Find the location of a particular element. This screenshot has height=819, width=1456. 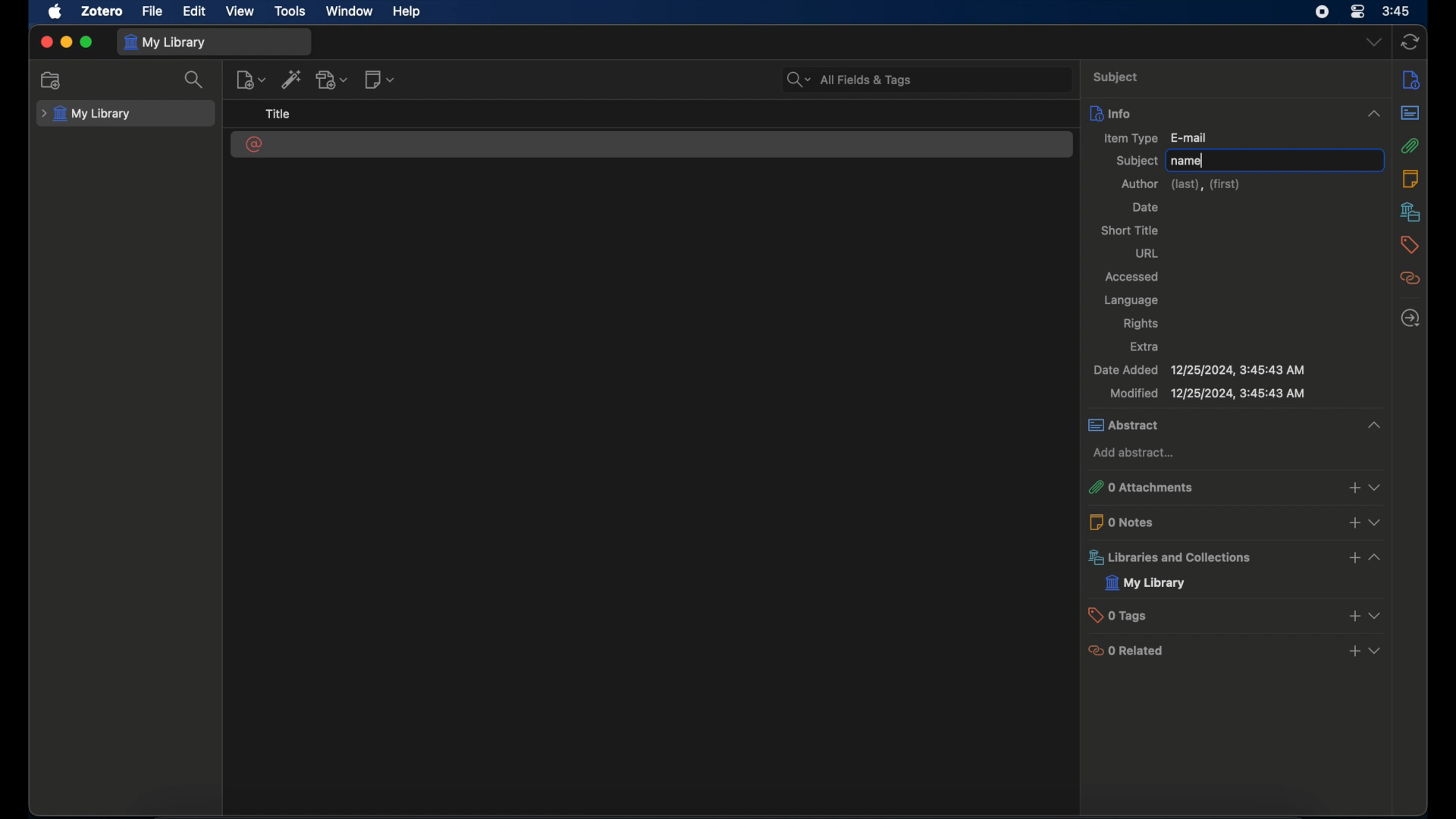

help is located at coordinates (406, 12).